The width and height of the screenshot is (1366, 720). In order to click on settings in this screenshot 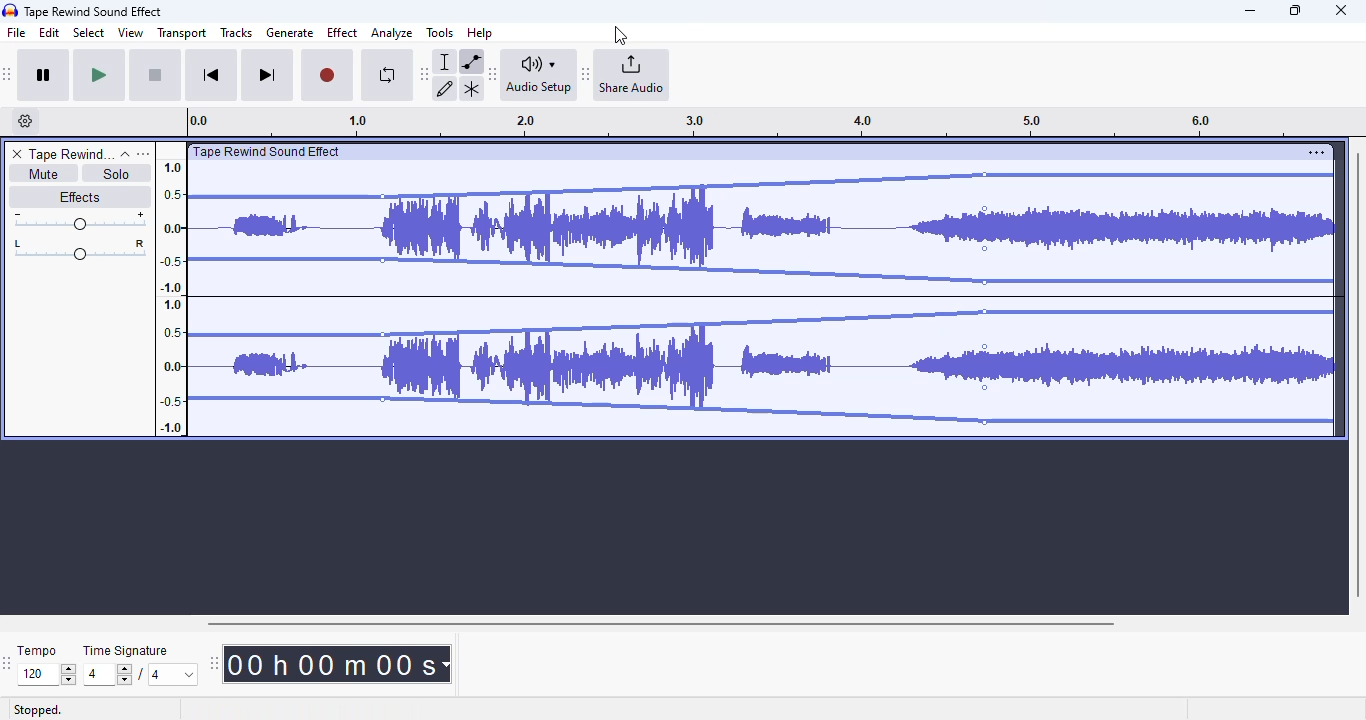, I will do `click(1316, 152)`.